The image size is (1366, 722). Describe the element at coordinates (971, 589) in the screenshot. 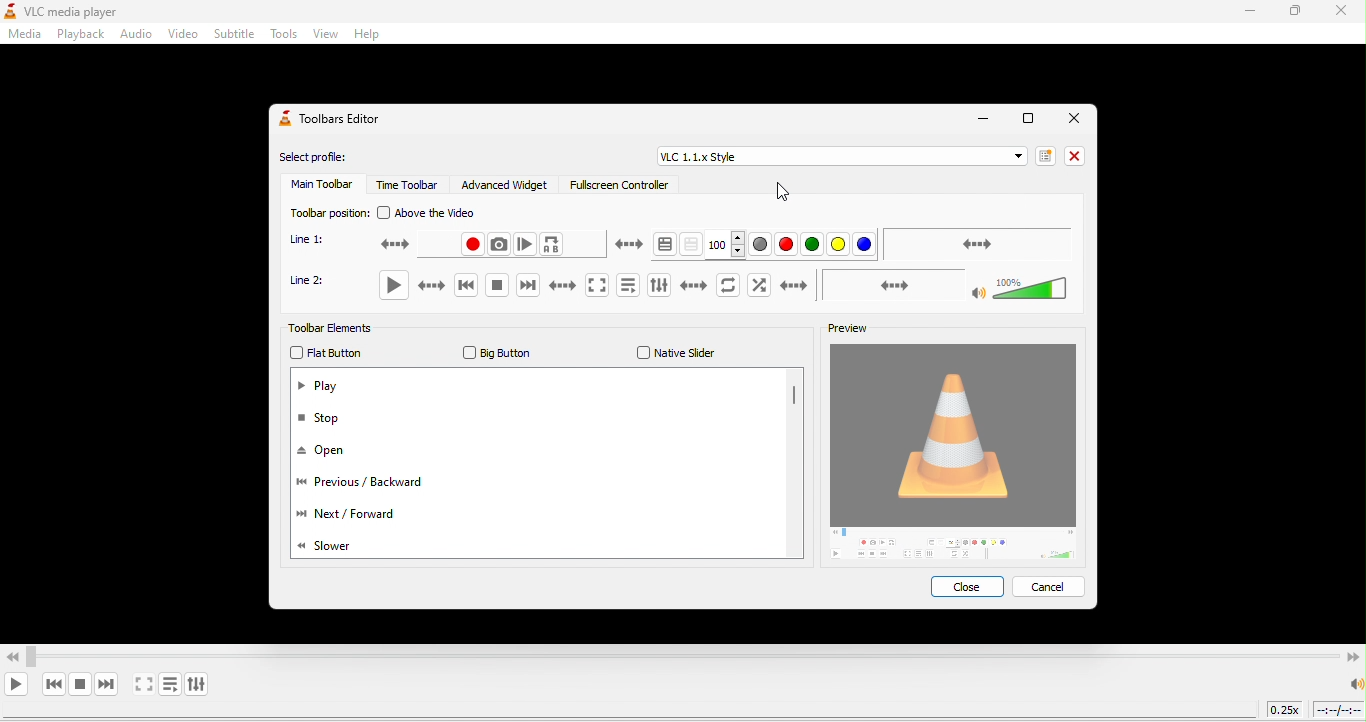

I see `close` at that location.